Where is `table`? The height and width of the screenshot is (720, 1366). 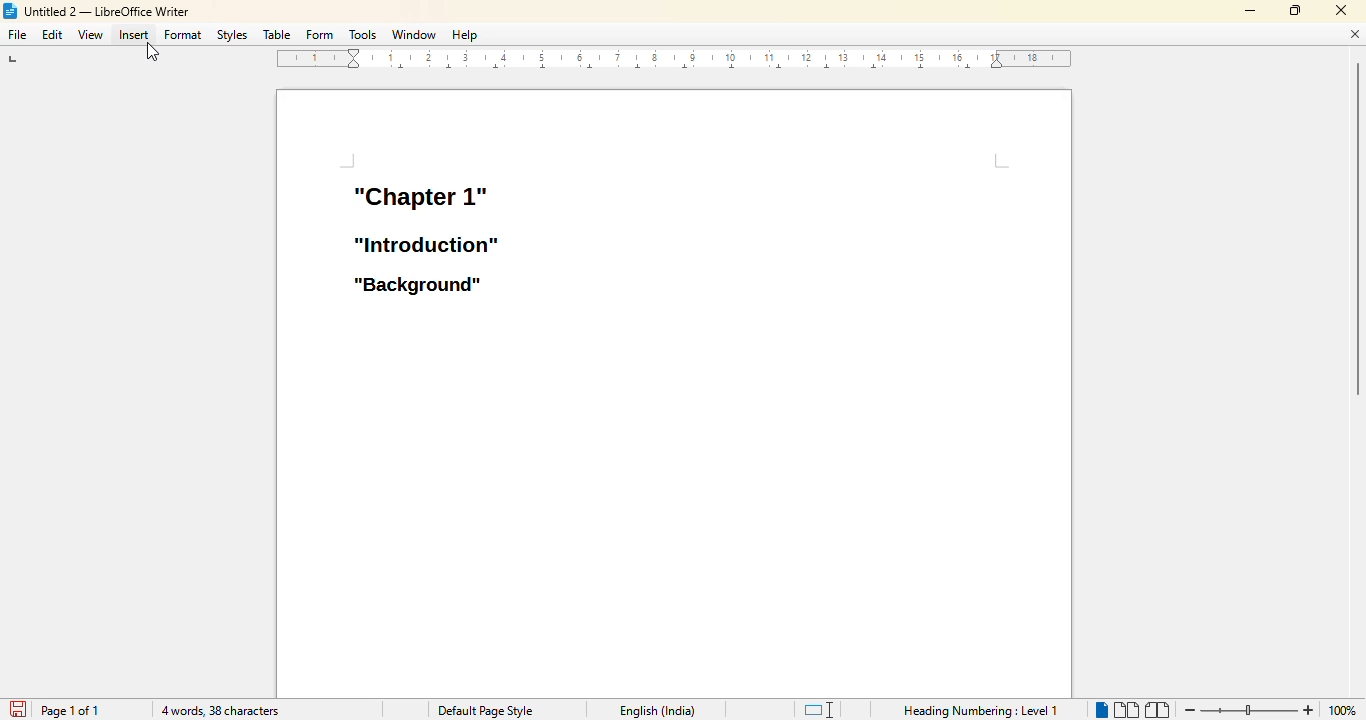
table is located at coordinates (277, 34).